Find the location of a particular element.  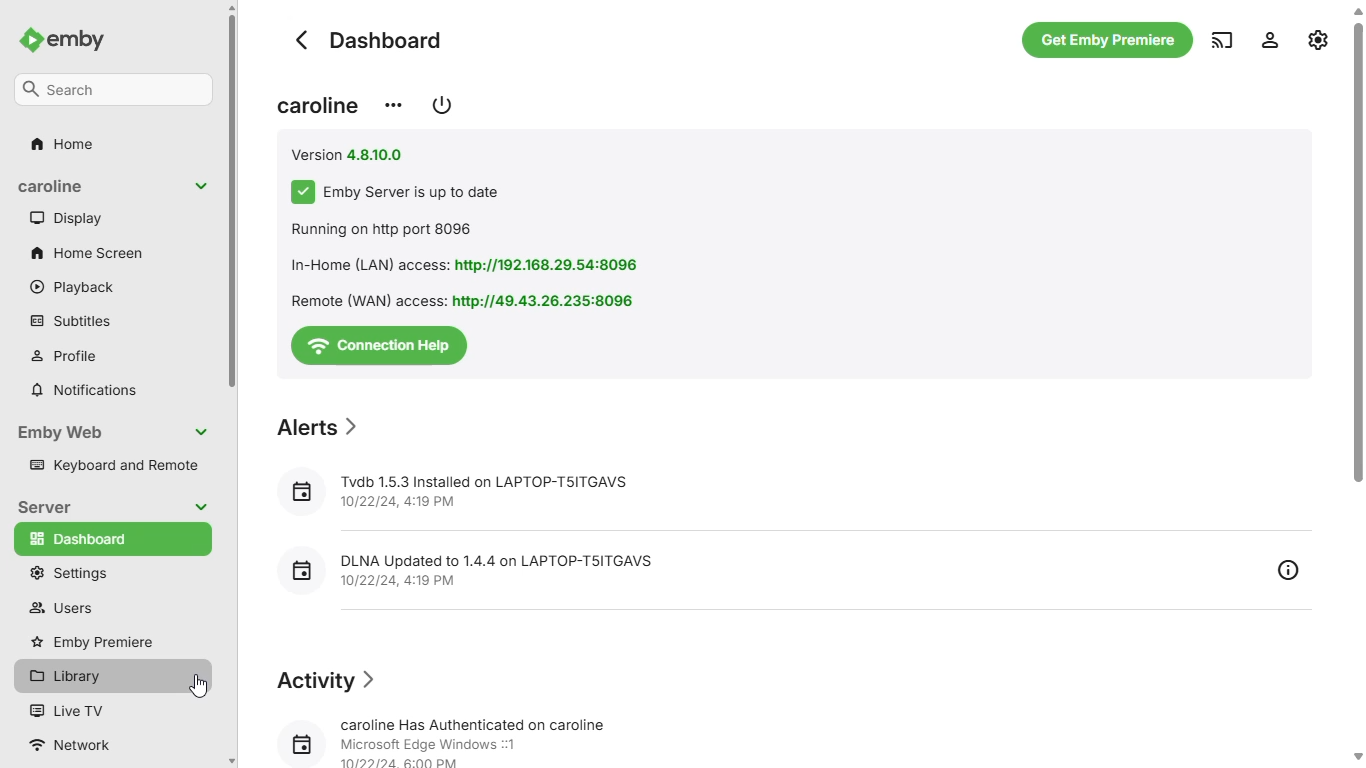

http://49.43.26.235:8096 is located at coordinates (547, 299).